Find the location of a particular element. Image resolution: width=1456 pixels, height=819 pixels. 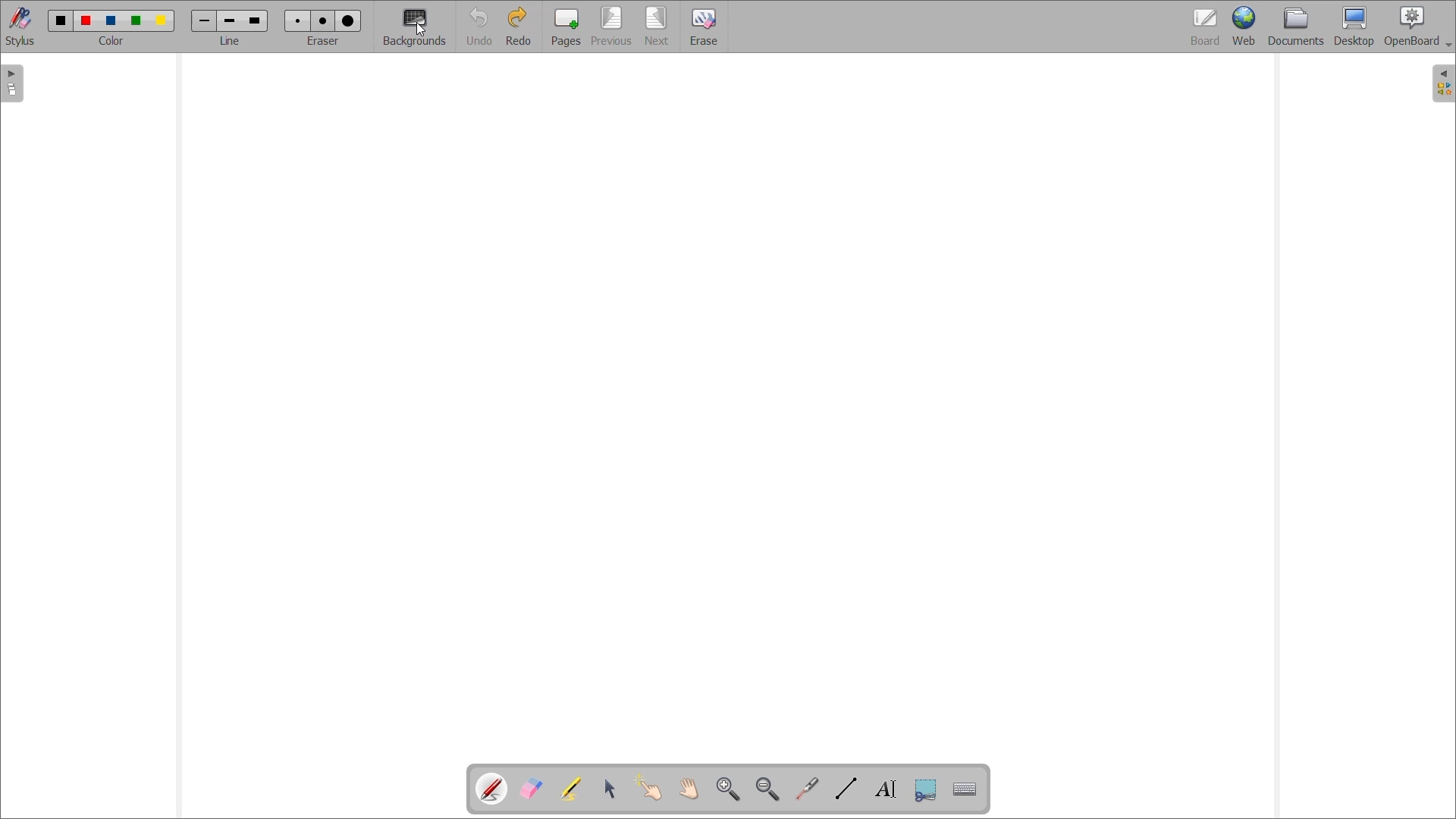

Eraser thickness options is located at coordinates (323, 21).